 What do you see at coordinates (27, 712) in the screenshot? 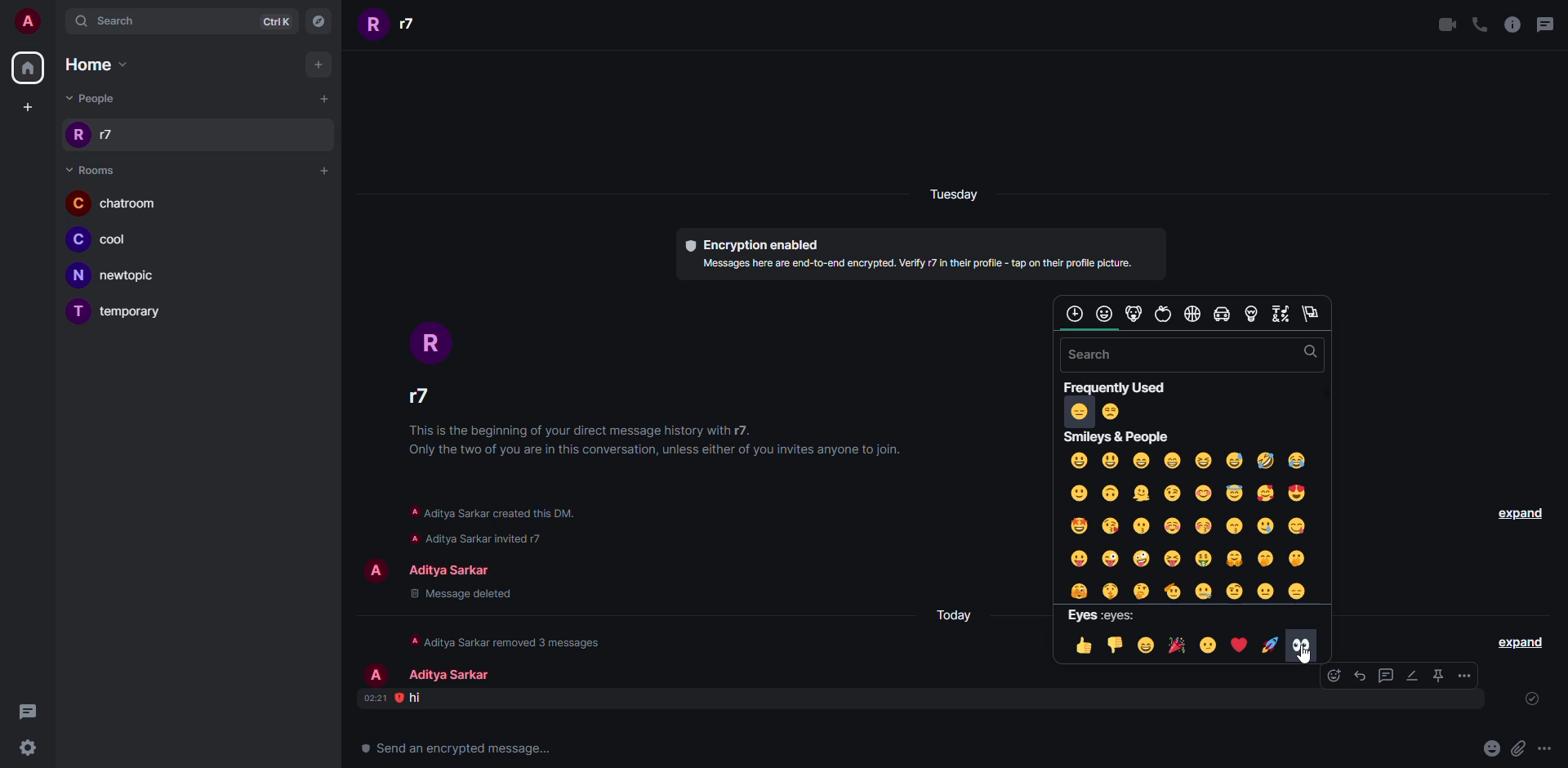
I see `threads` at bounding box center [27, 712].